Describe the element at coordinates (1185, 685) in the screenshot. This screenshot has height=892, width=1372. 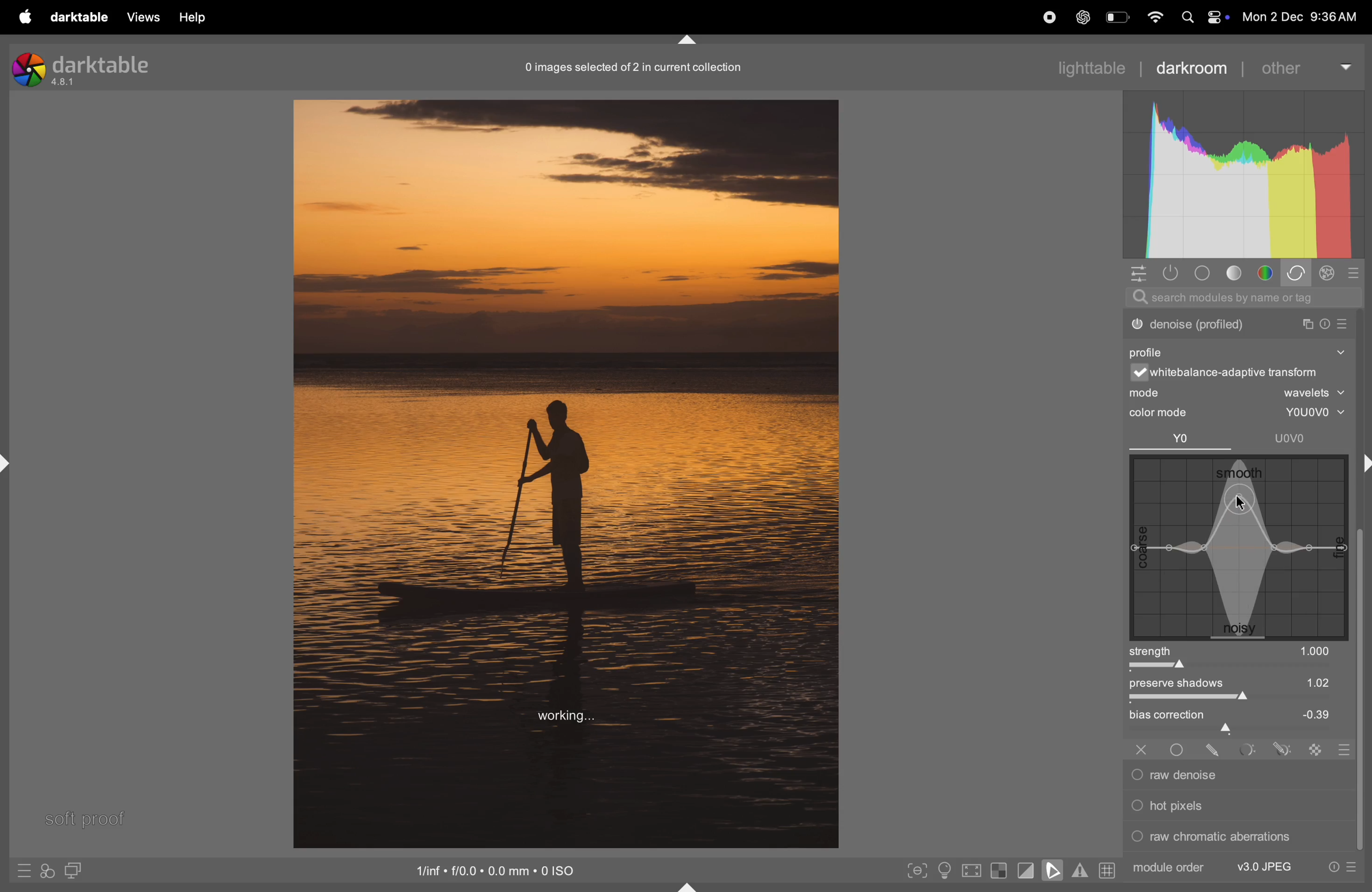
I see `preserve shadows` at that location.